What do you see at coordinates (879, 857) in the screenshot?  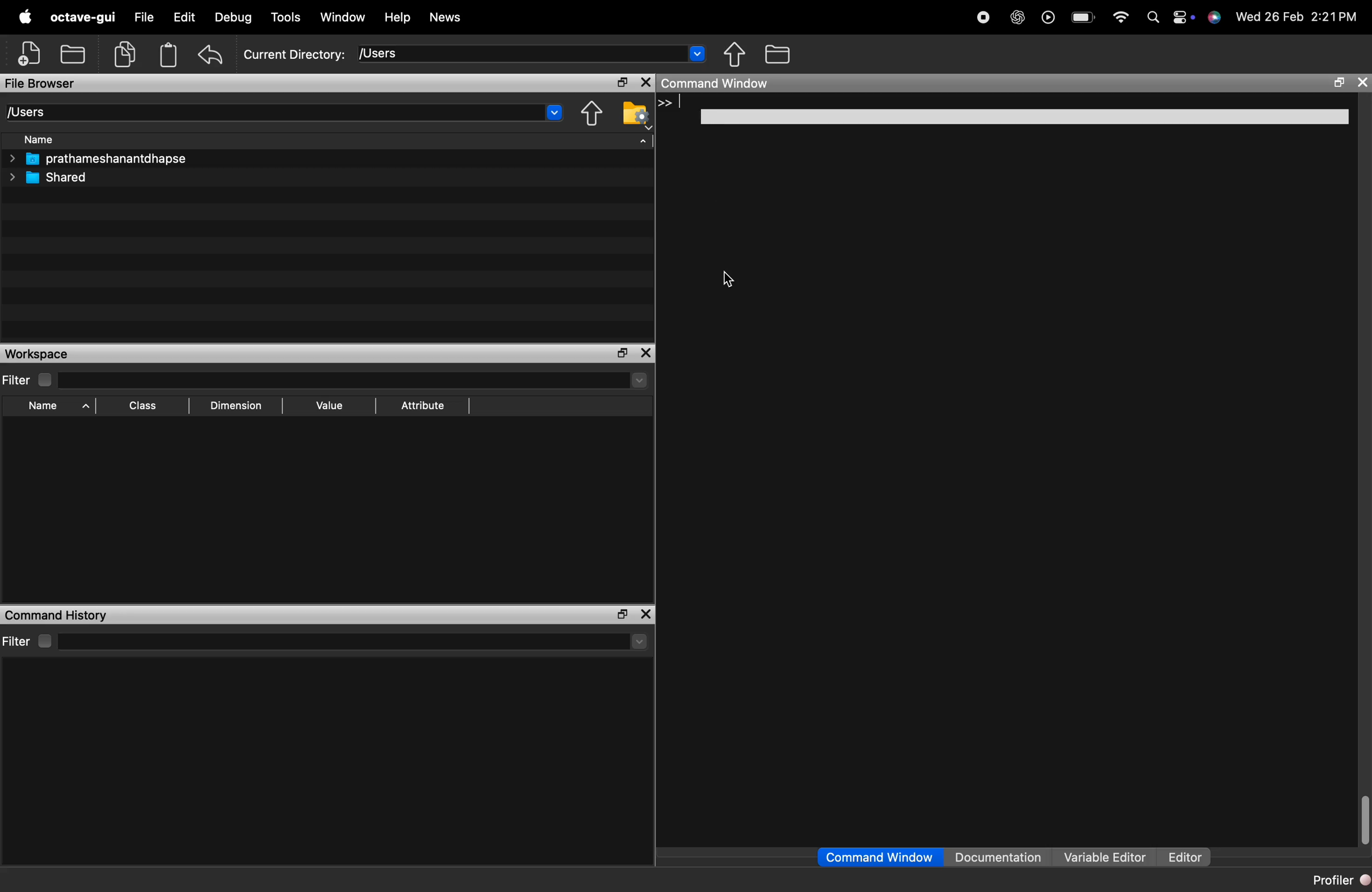 I see `Command Window` at bounding box center [879, 857].